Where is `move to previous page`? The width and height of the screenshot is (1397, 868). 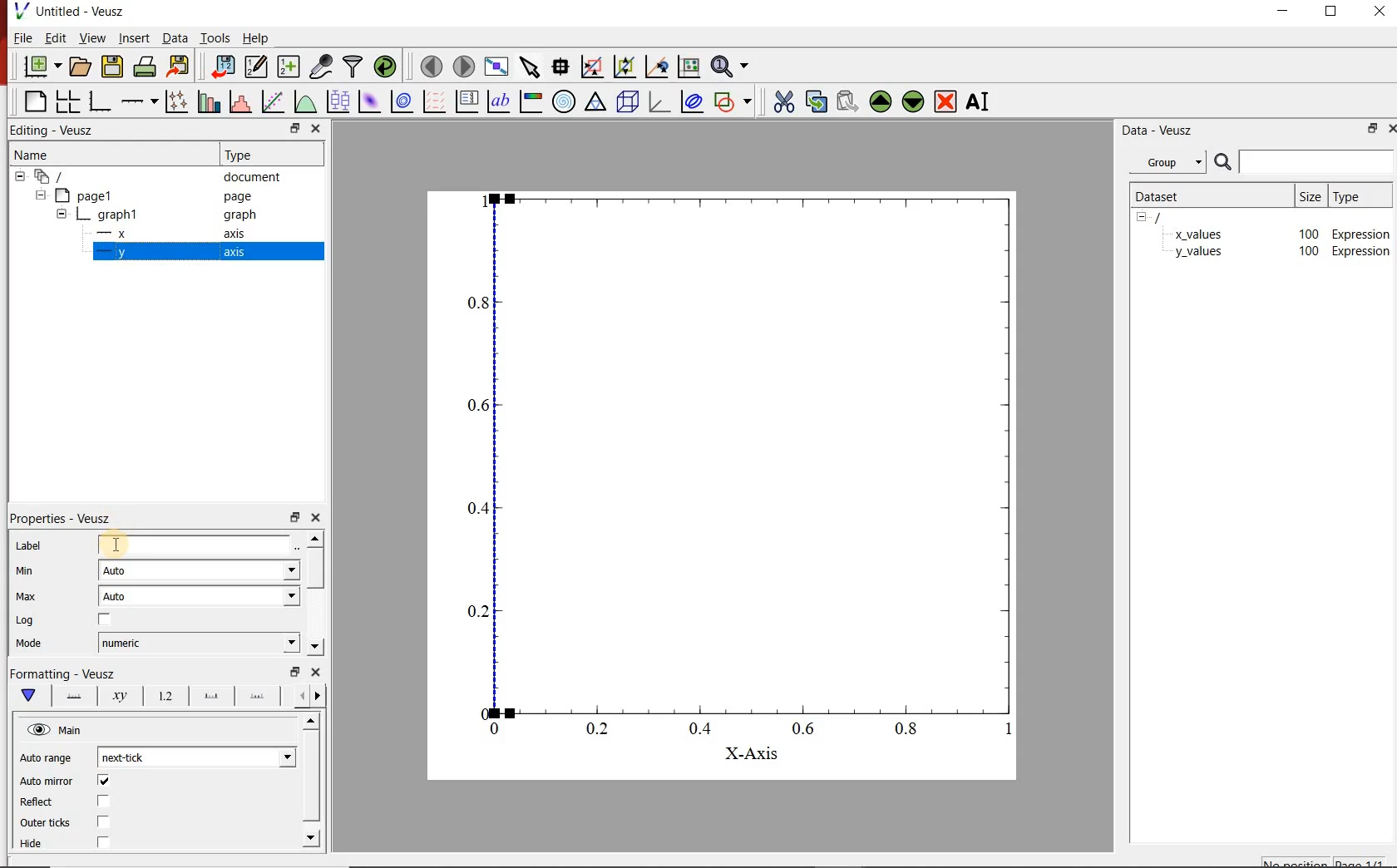
move to previous page is located at coordinates (431, 67).